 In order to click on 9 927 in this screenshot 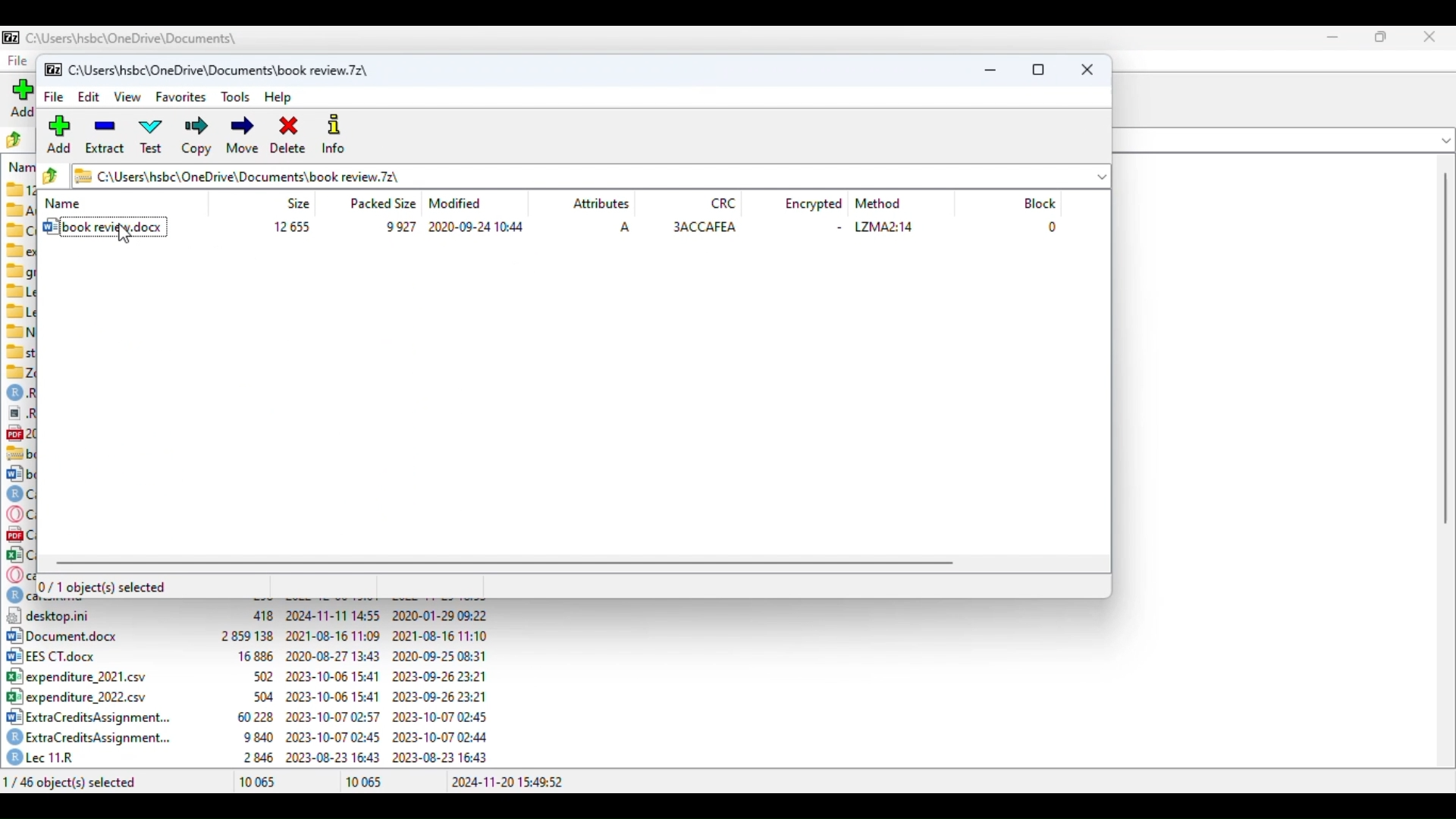, I will do `click(400, 227)`.